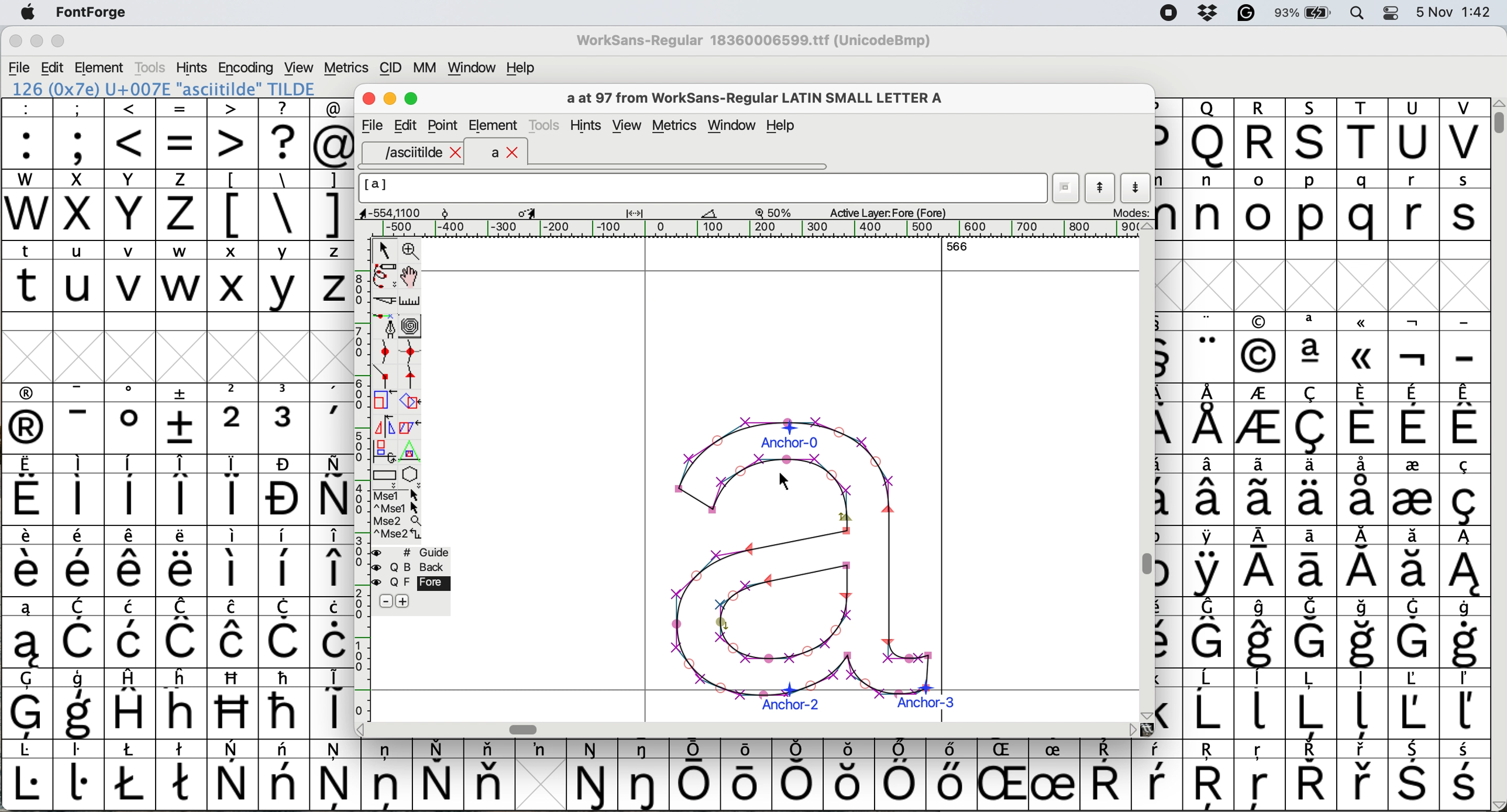  Describe the element at coordinates (79, 132) in the screenshot. I see `;` at that location.